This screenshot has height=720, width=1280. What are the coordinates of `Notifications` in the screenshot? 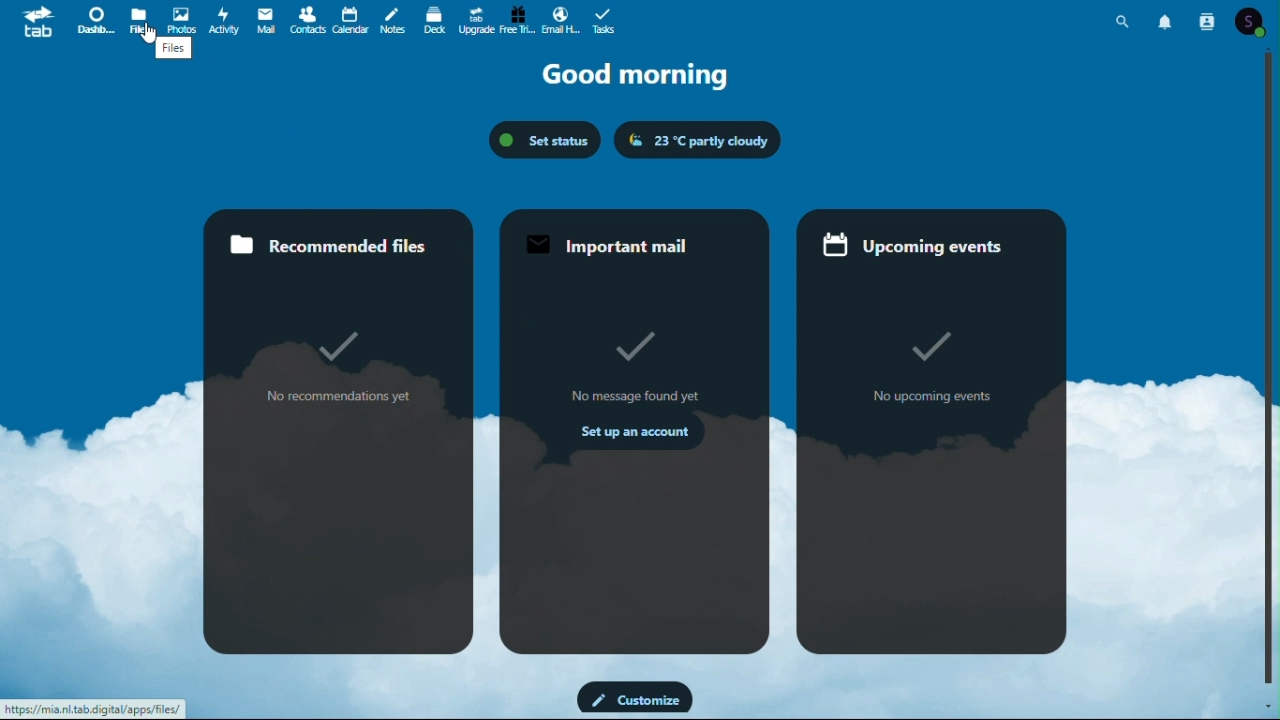 It's located at (1167, 19).